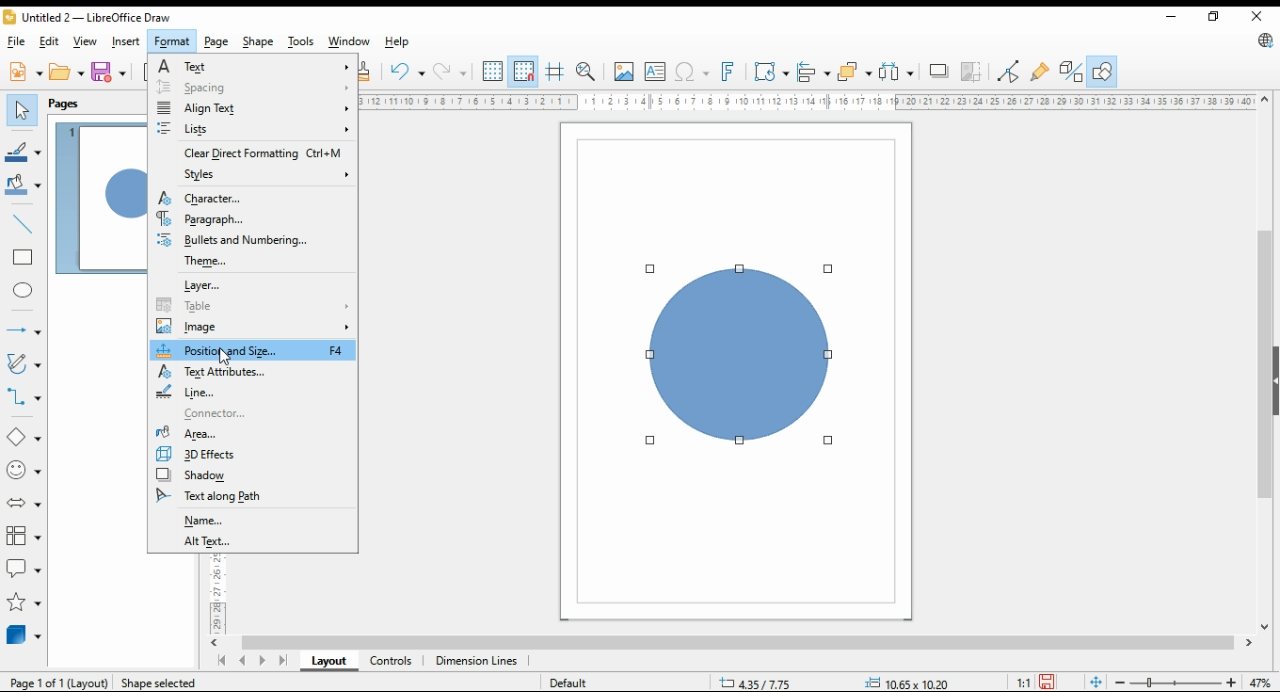 This screenshot has height=692, width=1280. I want to click on area, so click(202, 432).